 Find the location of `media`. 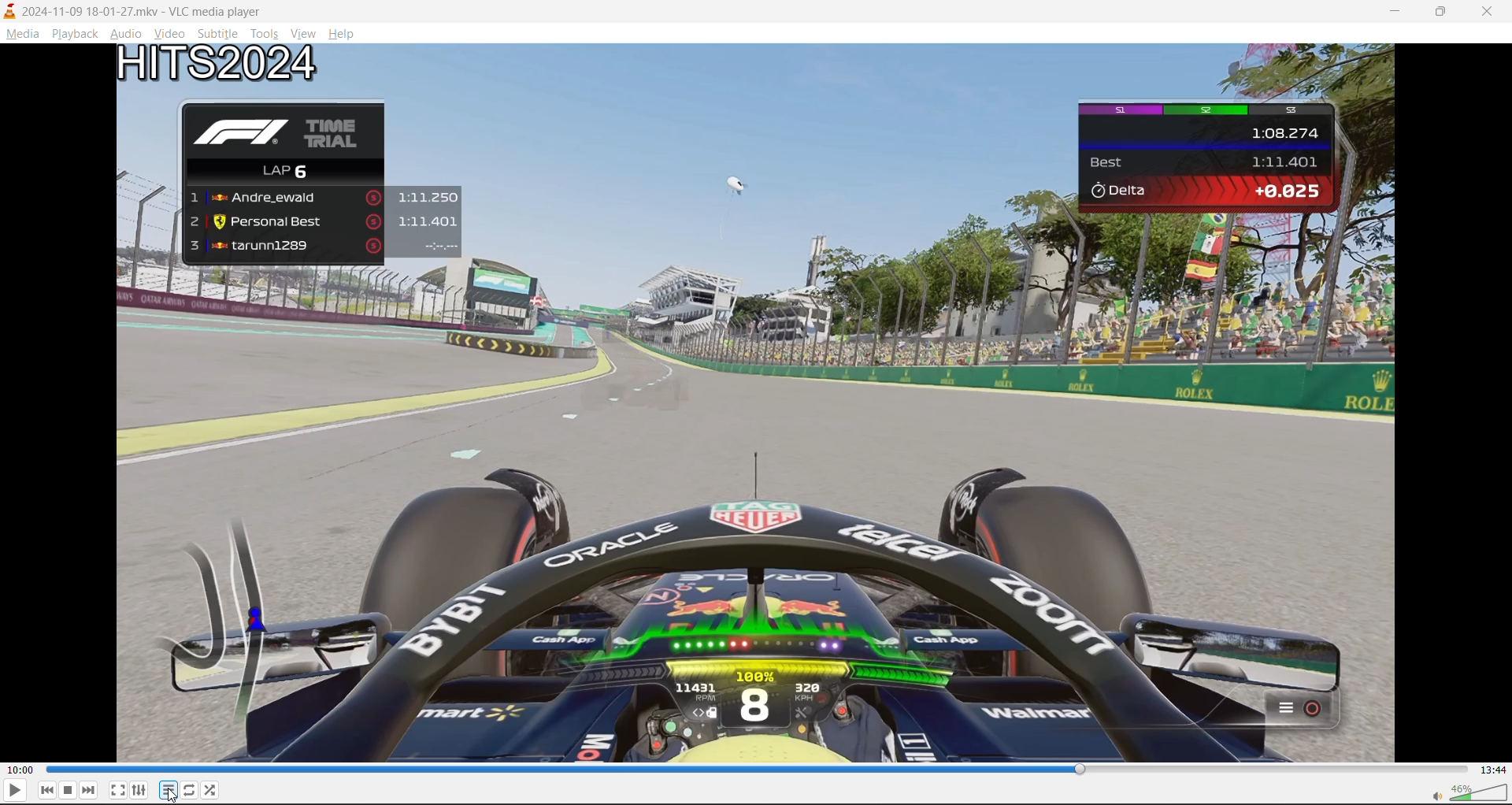

media is located at coordinates (20, 34).